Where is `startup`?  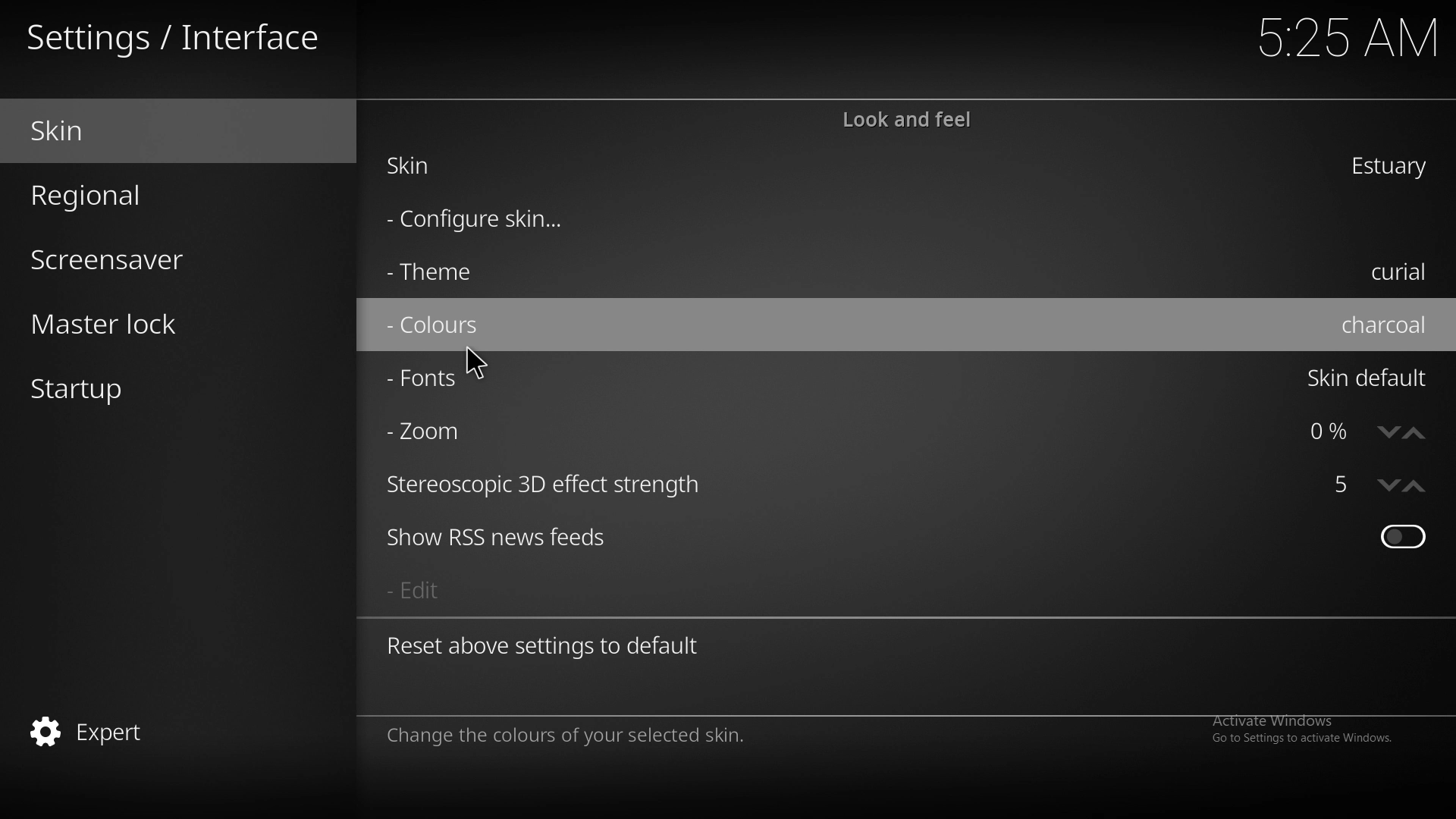 startup is located at coordinates (110, 394).